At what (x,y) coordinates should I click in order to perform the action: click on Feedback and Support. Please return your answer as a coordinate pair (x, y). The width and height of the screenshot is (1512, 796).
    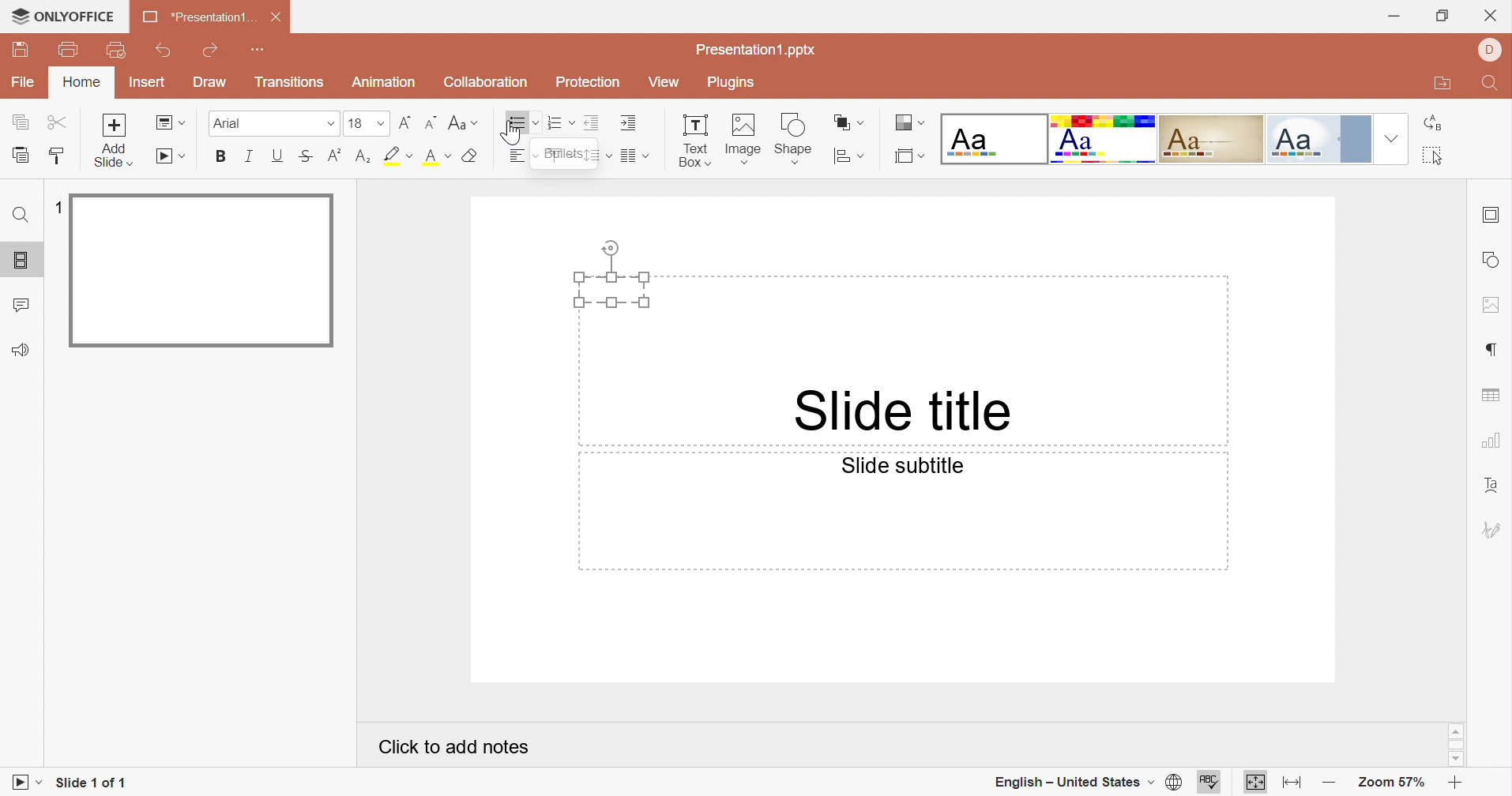
    Looking at the image, I should click on (21, 349).